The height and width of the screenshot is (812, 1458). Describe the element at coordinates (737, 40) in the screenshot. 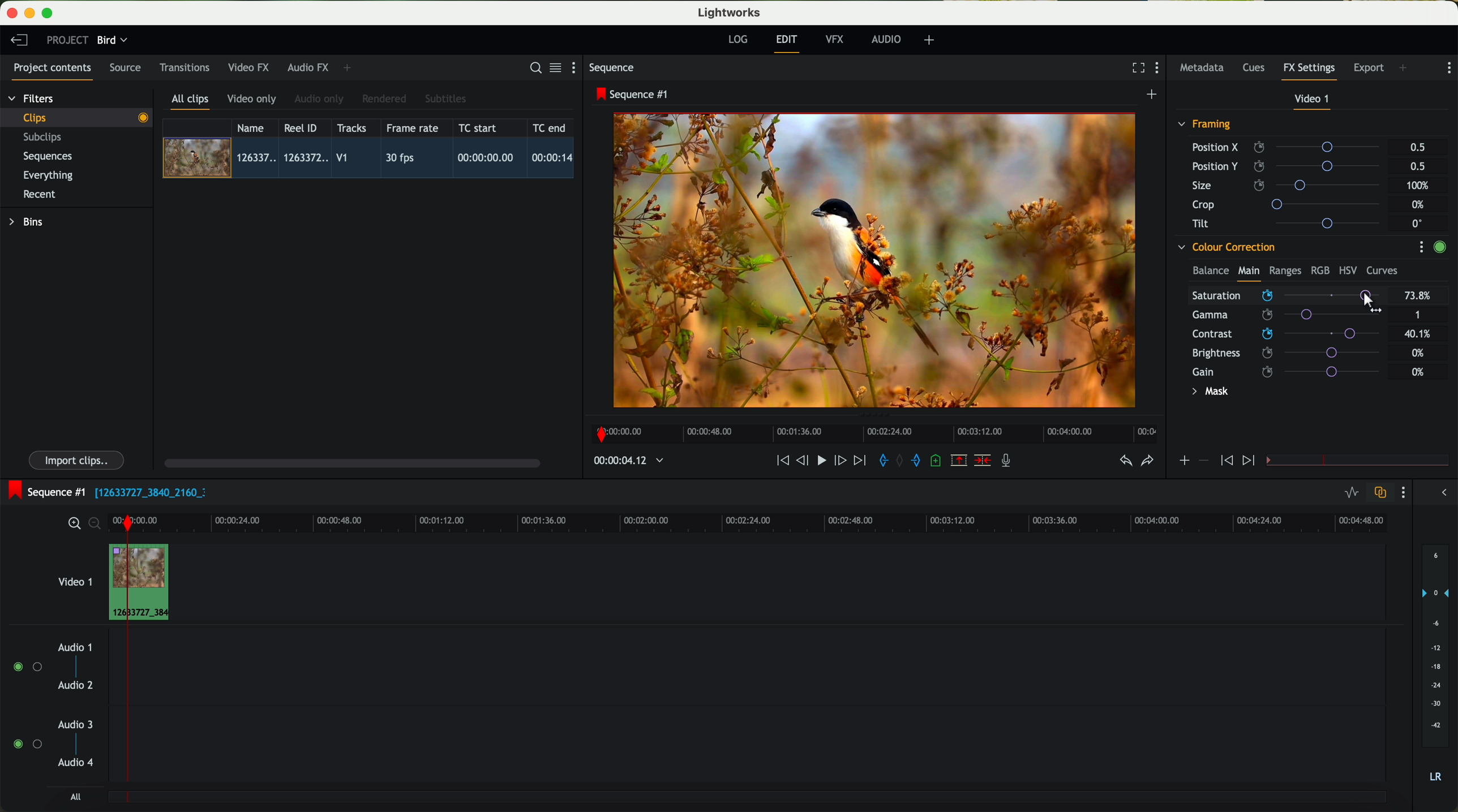

I see `log` at that location.